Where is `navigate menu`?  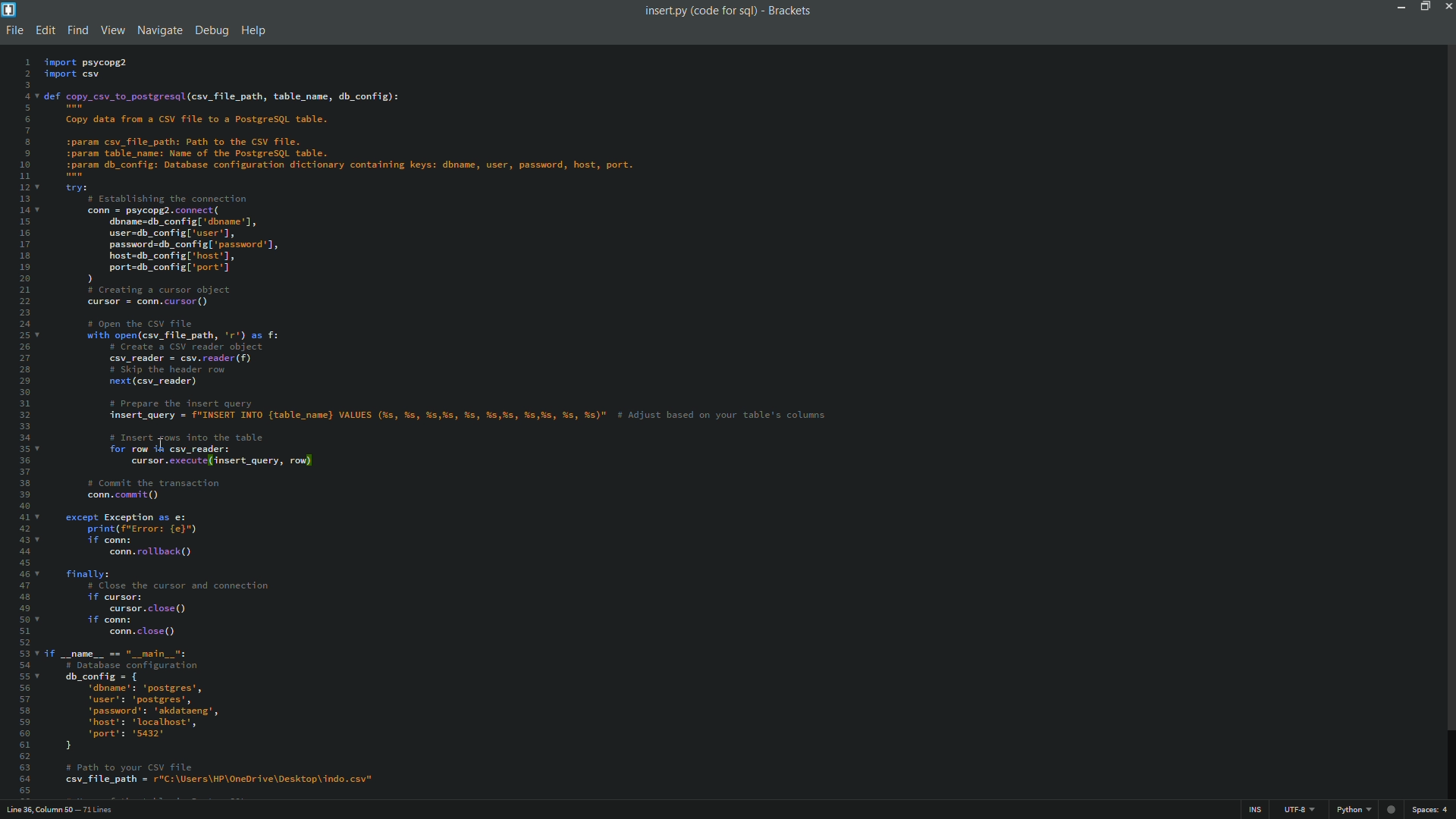
navigate menu is located at coordinates (158, 30).